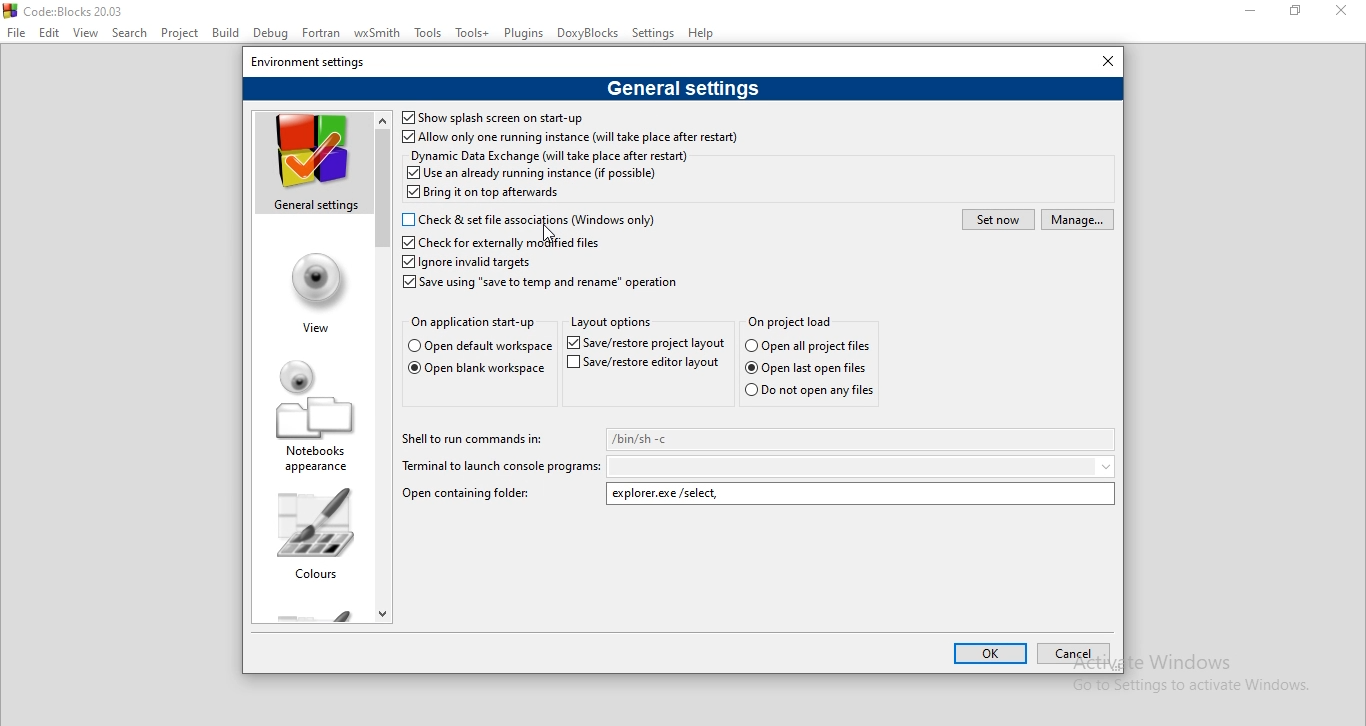  What do you see at coordinates (311, 289) in the screenshot?
I see `view` at bounding box center [311, 289].